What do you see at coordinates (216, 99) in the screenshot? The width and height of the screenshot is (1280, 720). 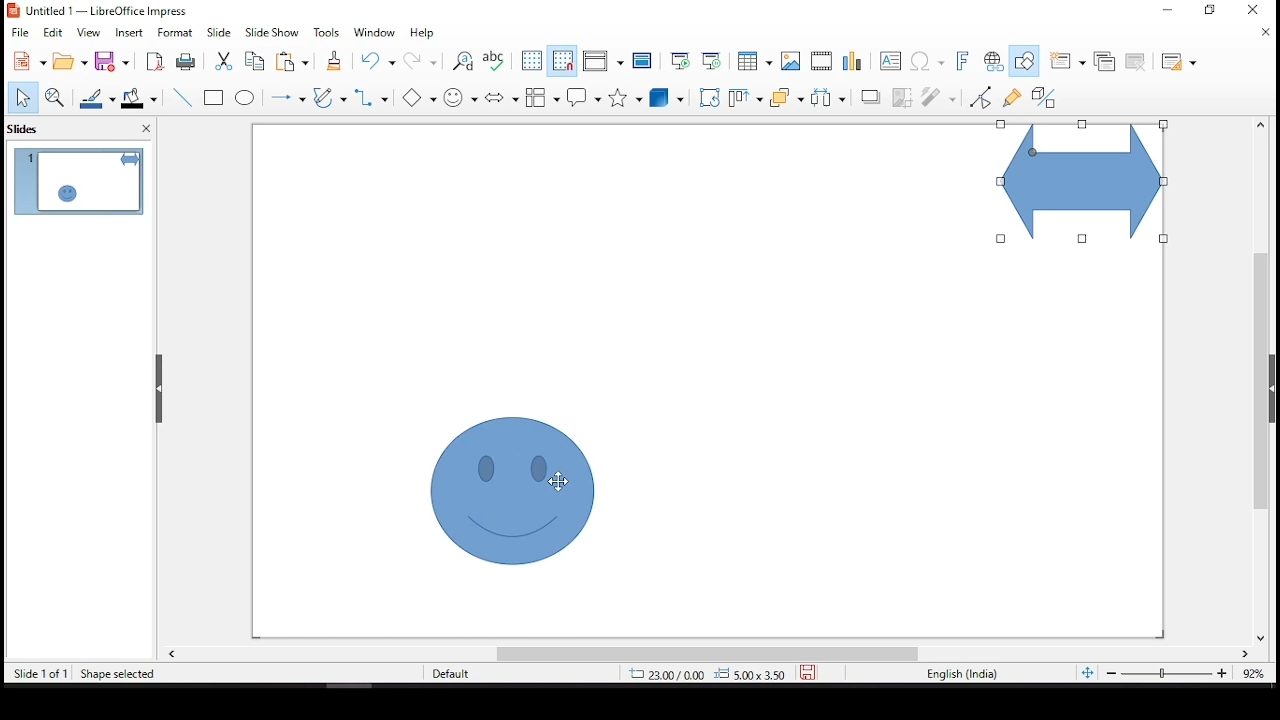 I see `rectangle` at bounding box center [216, 99].